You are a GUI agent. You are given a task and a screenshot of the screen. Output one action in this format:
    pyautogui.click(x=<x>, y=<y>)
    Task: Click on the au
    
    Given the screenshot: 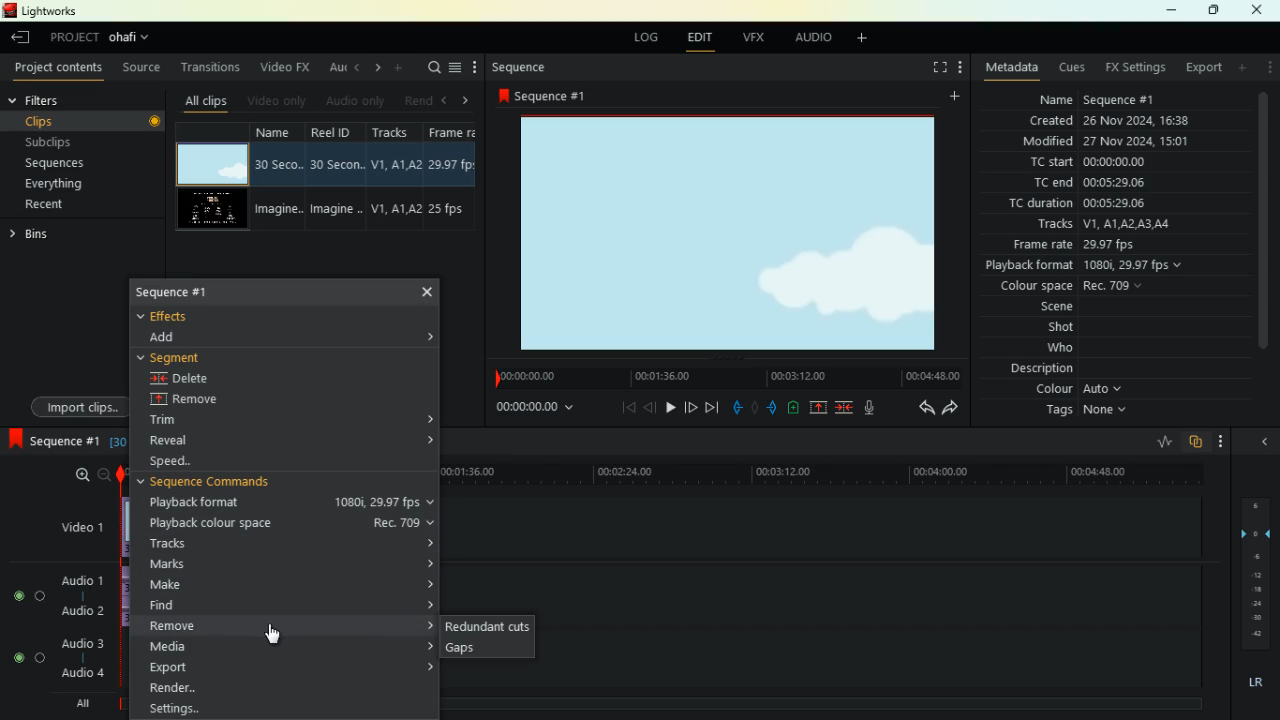 What is the action you would take?
    pyautogui.click(x=334, y=68)
    